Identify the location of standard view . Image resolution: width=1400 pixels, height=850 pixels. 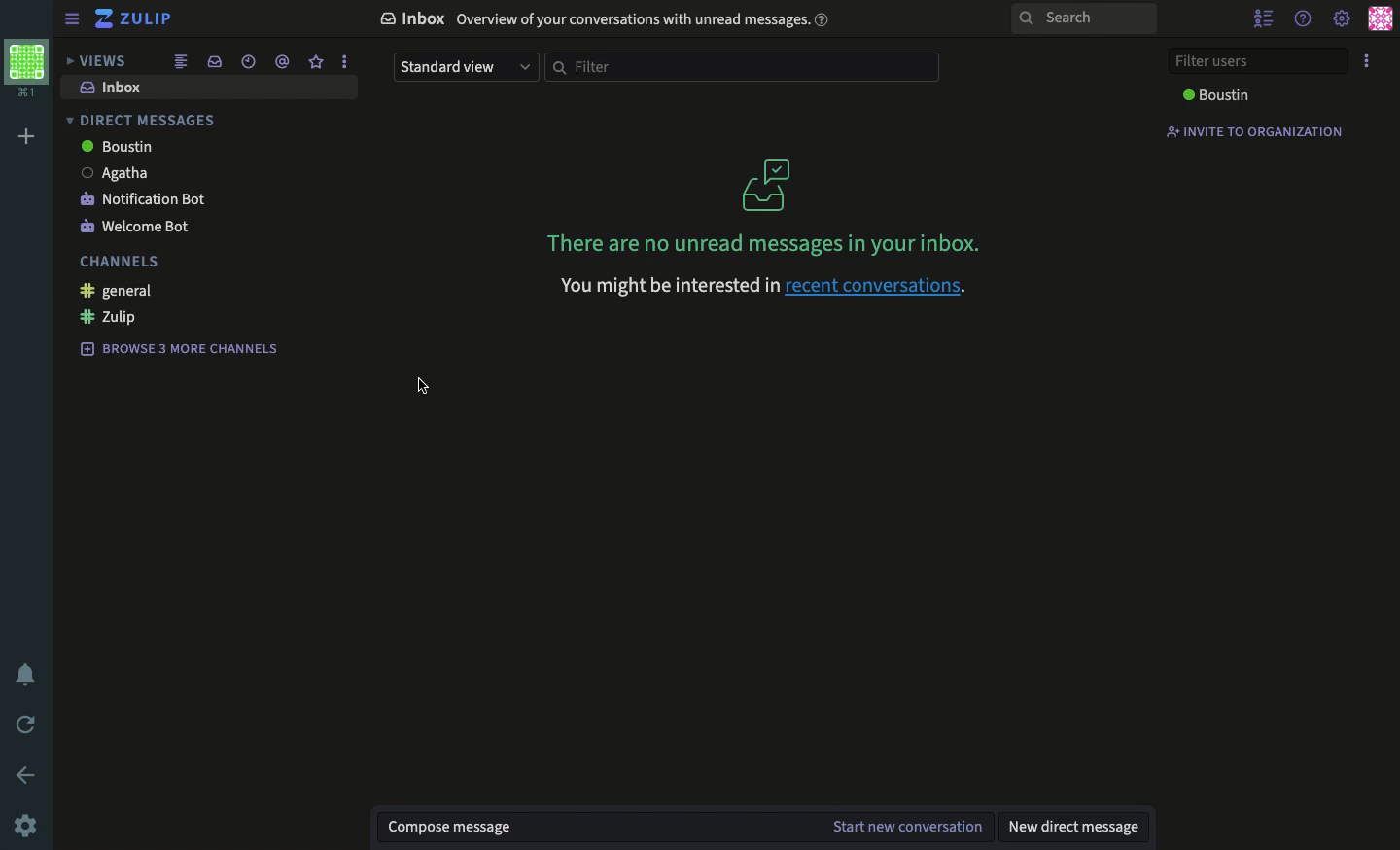
(465, 69).